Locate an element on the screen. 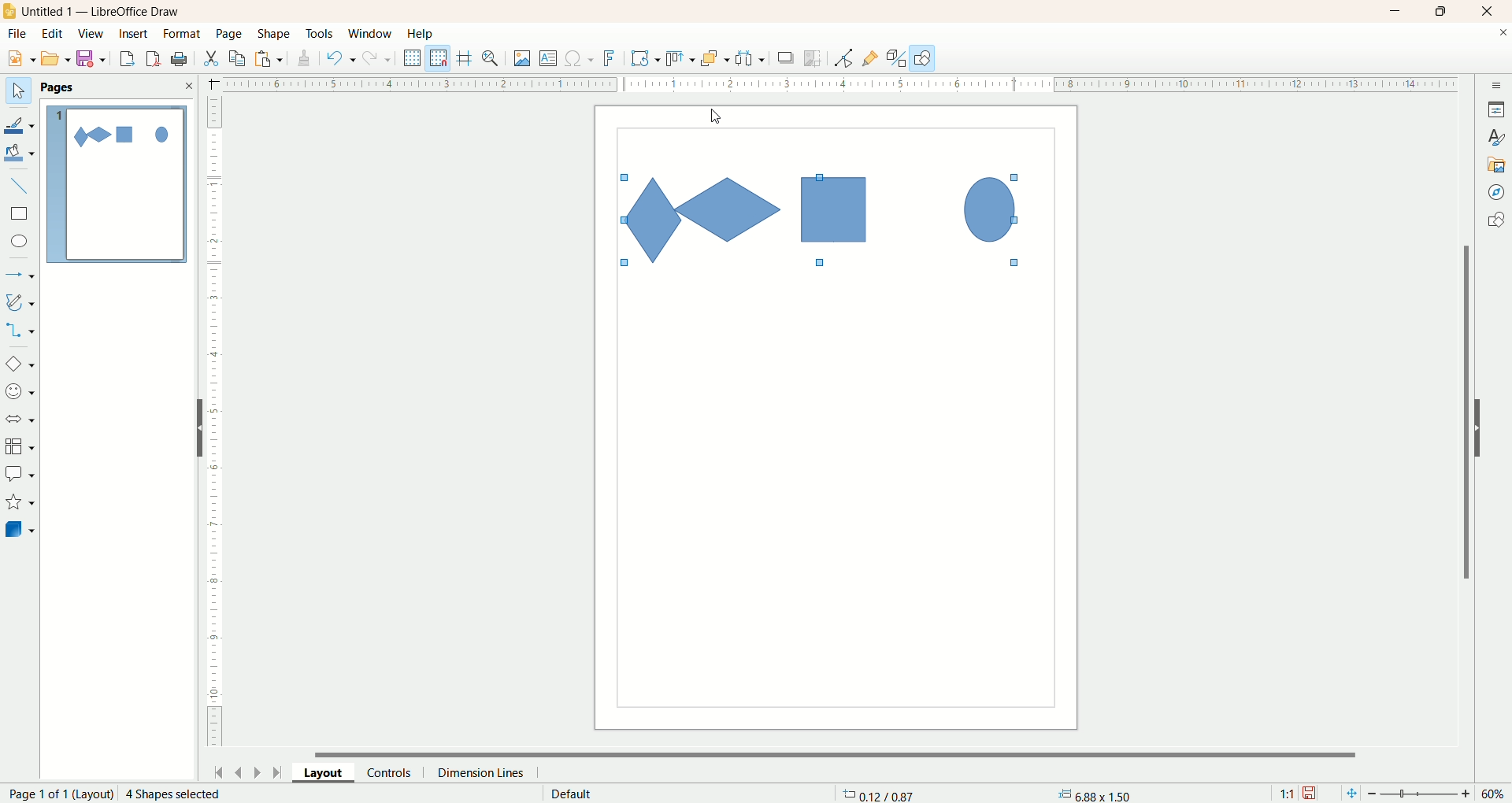 The height and width of the screenshot is (803, 1512). close is located at coordinates (1491, 12).